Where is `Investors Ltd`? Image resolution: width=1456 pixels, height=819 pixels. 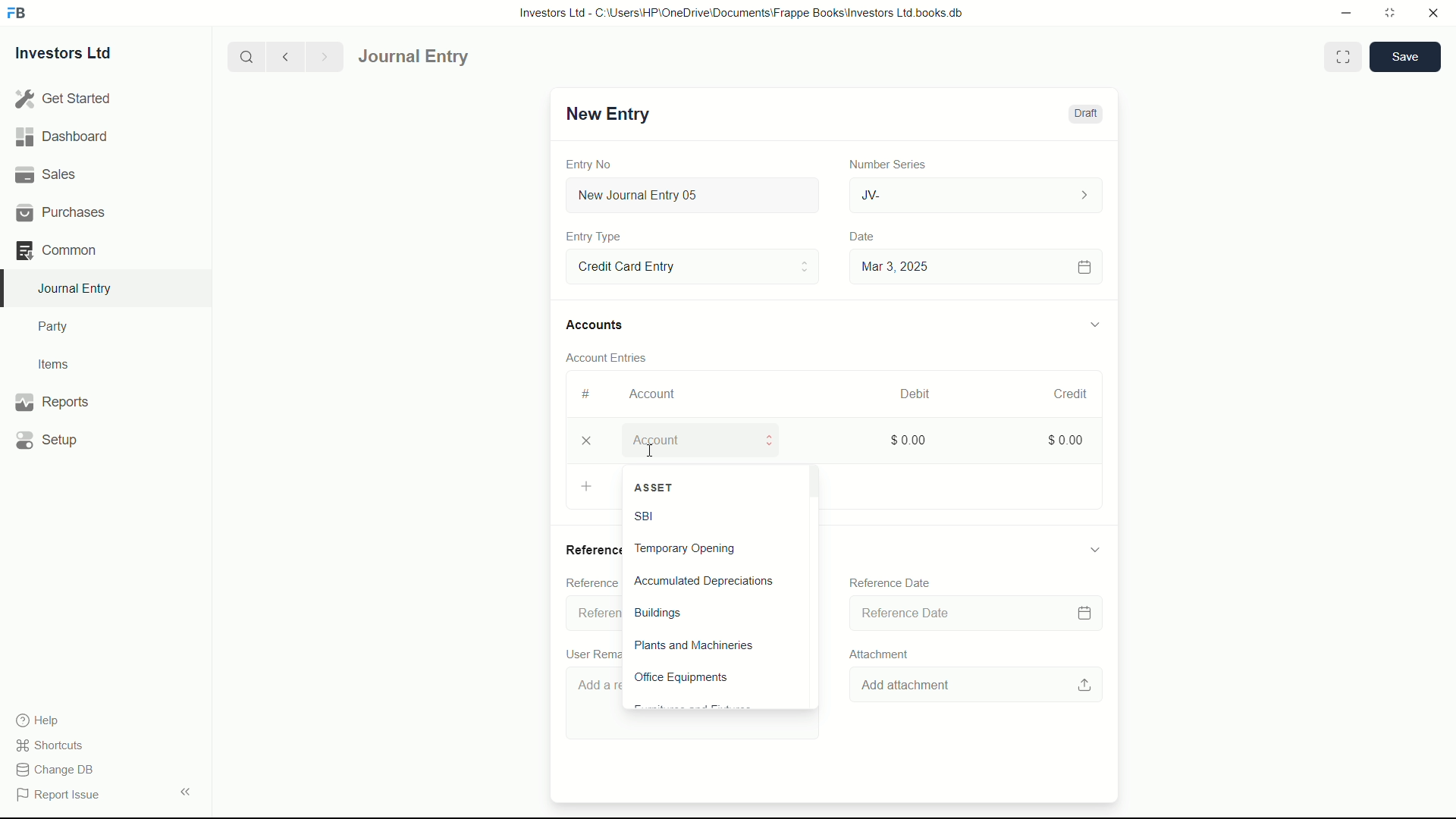 Investors Ltd is located at coordinates (77, 55).